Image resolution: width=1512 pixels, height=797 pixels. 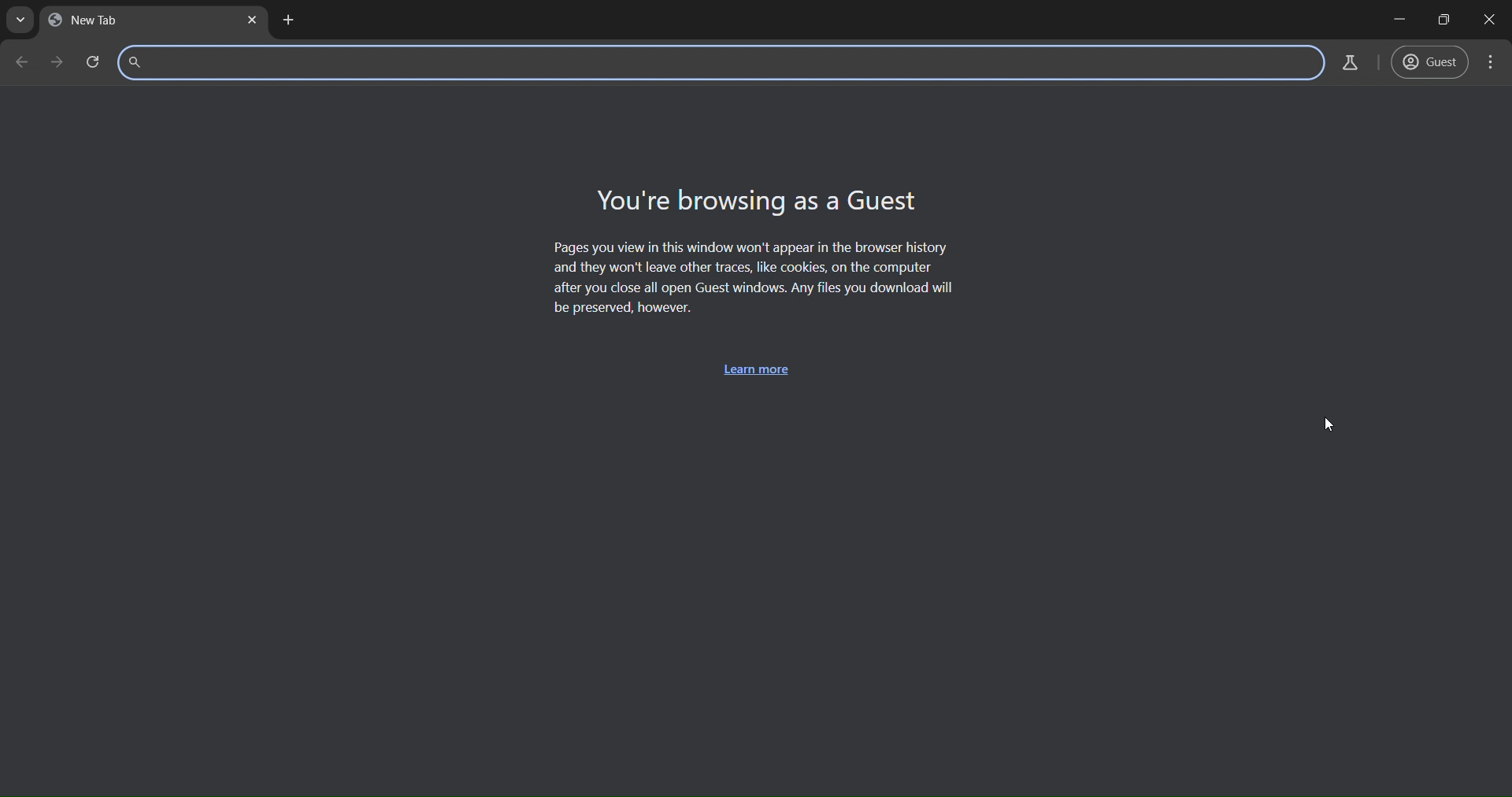 I want to click on , .
You're browsing as a Guest
Pages you view in this window won't appear in the browser history
and they won't leave other traces, like cookies, on the computer
after you close all open Guest windows. Any files you download will
be preserved, however., so click(x=754, y=251).